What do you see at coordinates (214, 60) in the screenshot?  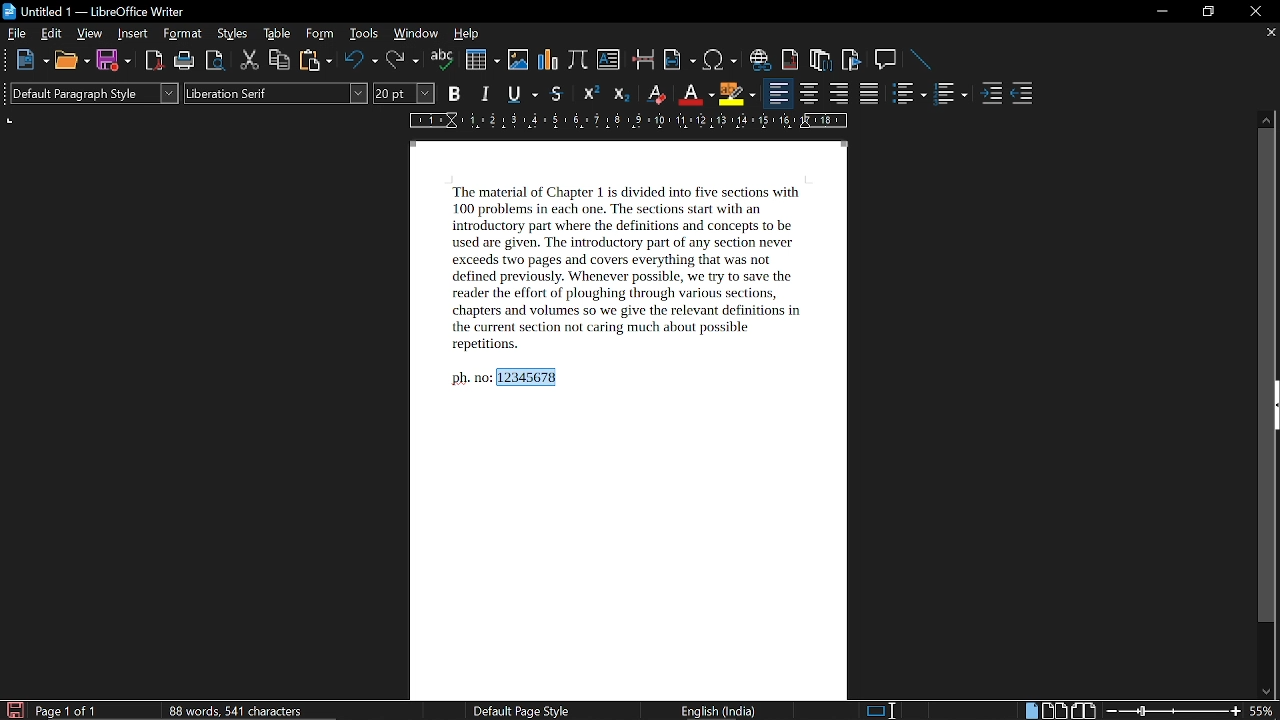 I see `toggle print preview` at bounding box center [214, 60].